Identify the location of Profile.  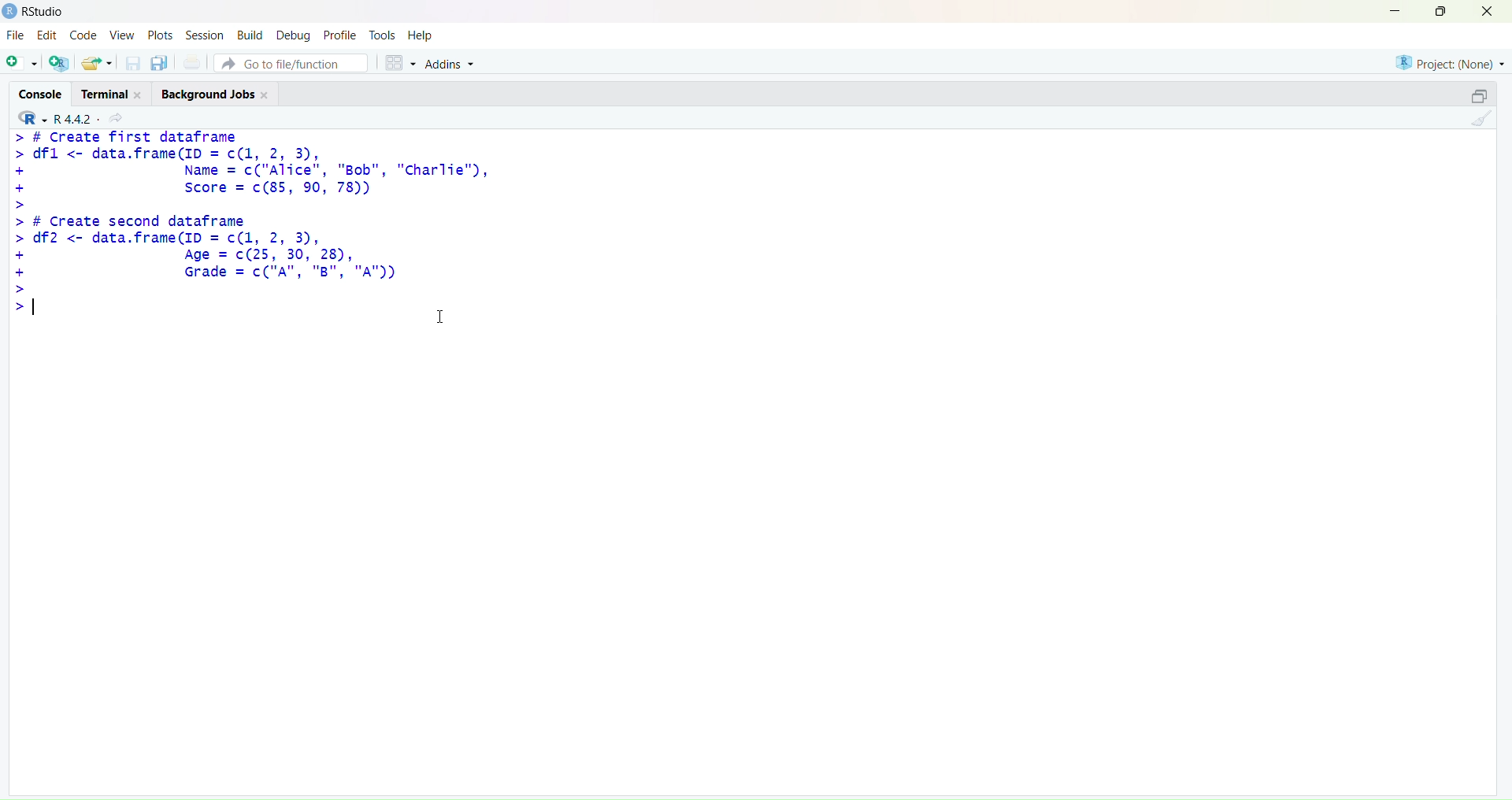
(341, 35).